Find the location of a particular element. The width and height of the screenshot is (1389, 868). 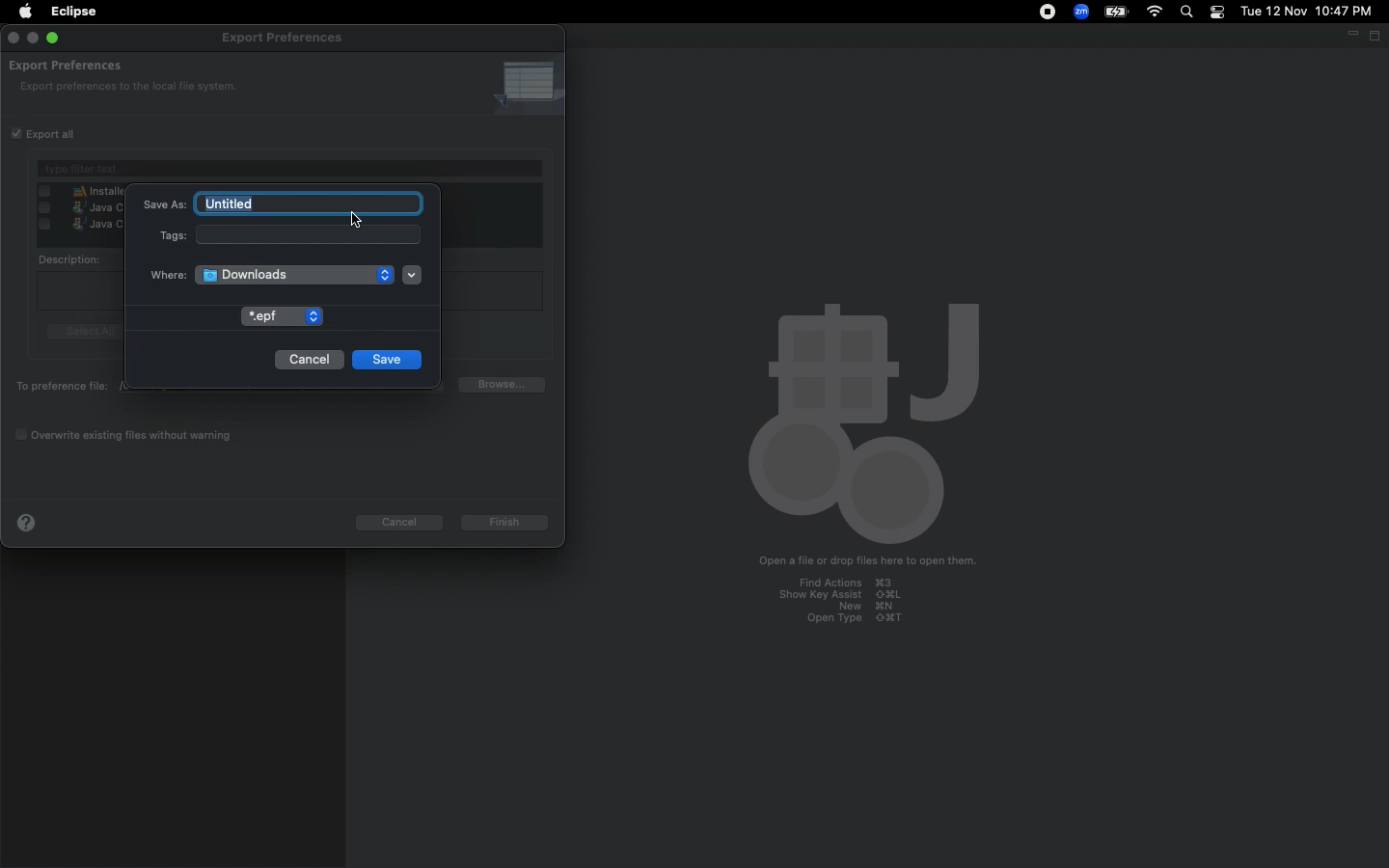

Notification bar is located at coordinates (1216, 14).